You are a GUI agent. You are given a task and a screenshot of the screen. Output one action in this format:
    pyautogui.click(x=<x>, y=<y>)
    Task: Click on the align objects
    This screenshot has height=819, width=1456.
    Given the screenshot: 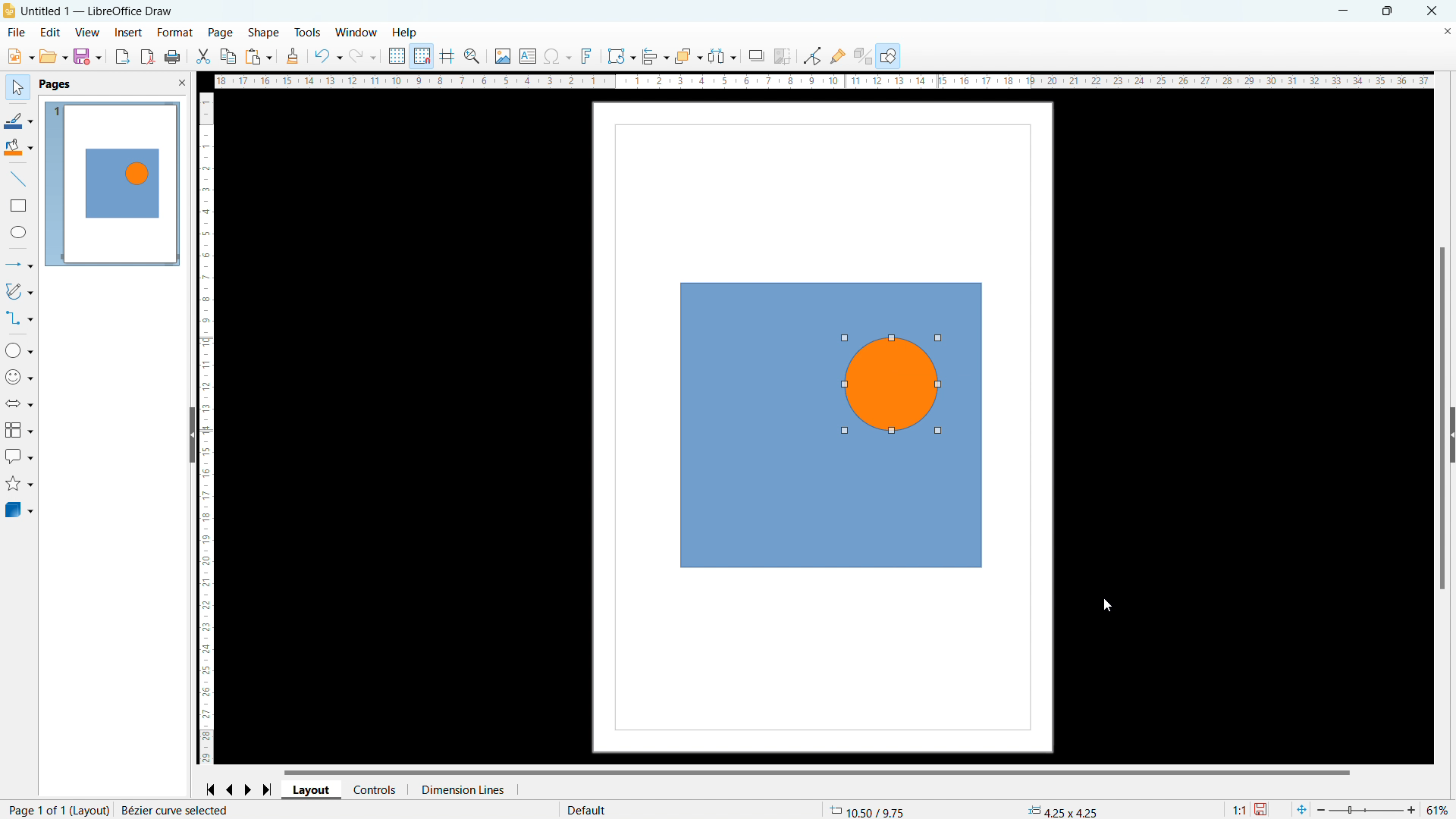 What is the action you would take?
    pyautogui.click(x=654, y=56)
    